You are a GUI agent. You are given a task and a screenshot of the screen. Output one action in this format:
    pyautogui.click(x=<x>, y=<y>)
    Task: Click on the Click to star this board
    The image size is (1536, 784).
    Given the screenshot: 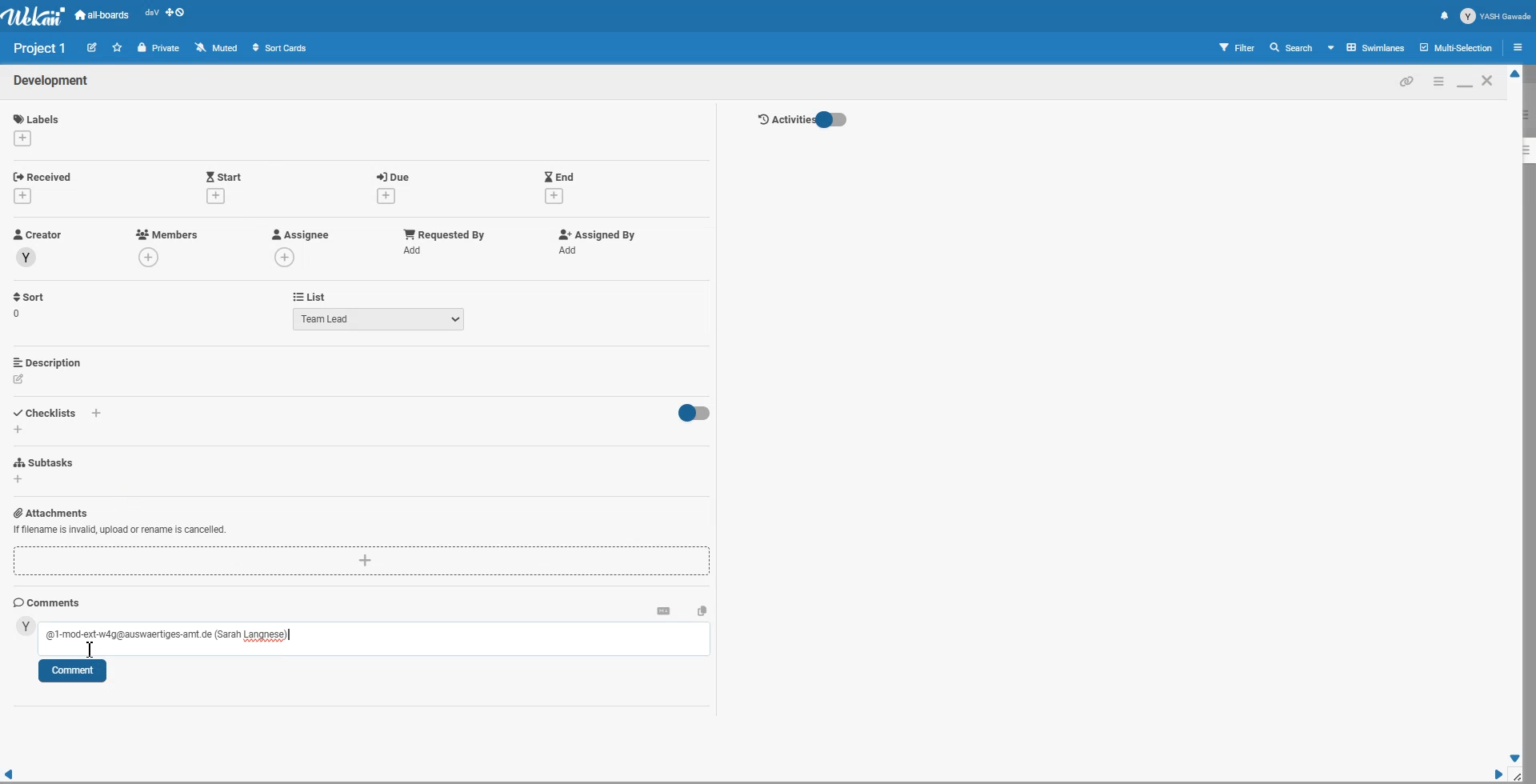 What is the action you would take?
    pyautogui.click(x=118, y=47)
    